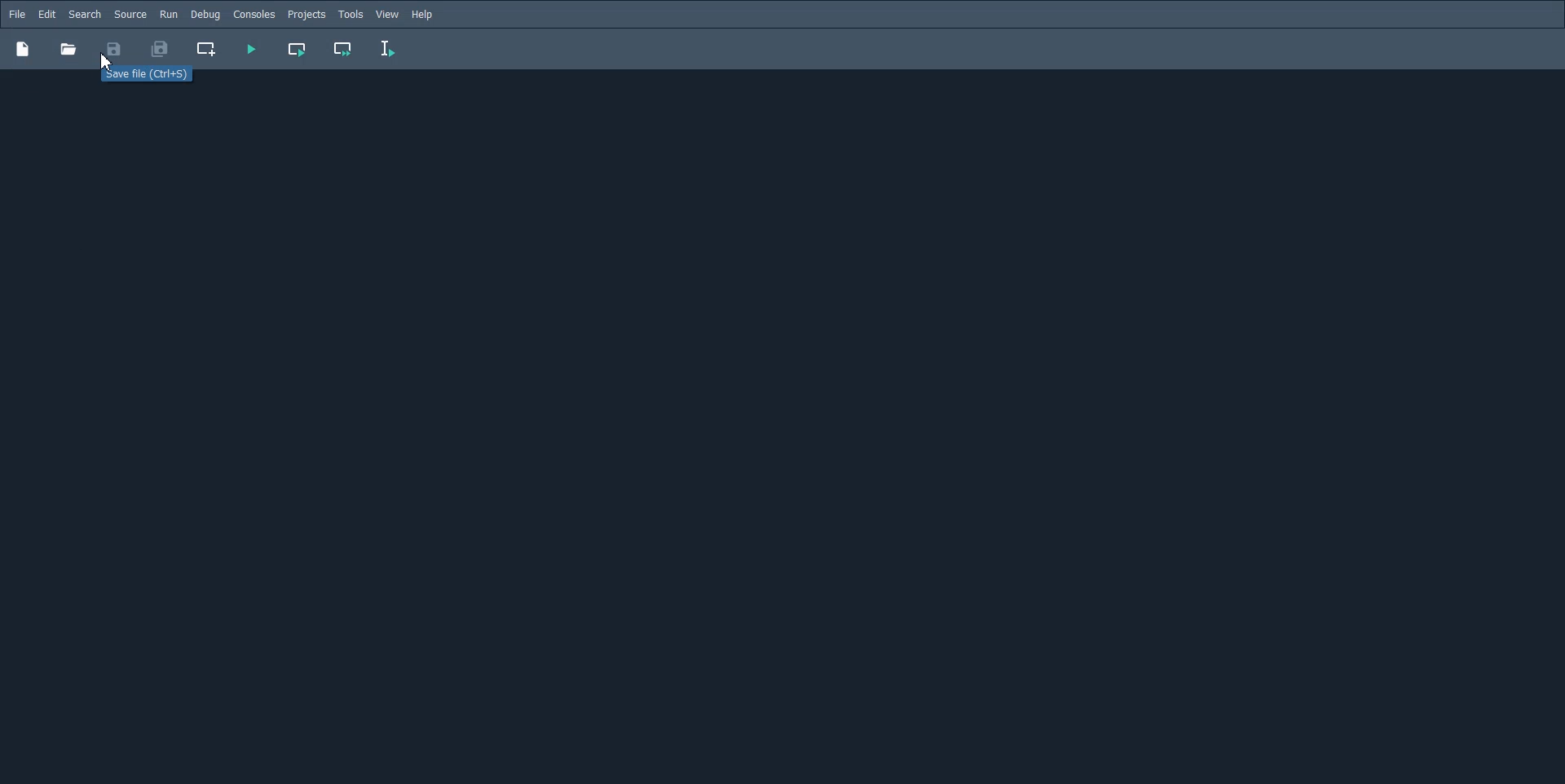 This screenshot has width=1565, height=784. What do you see at coordinates (306, 15) in the screenshot?
I see `Projects` at bounding box center [306, 15].